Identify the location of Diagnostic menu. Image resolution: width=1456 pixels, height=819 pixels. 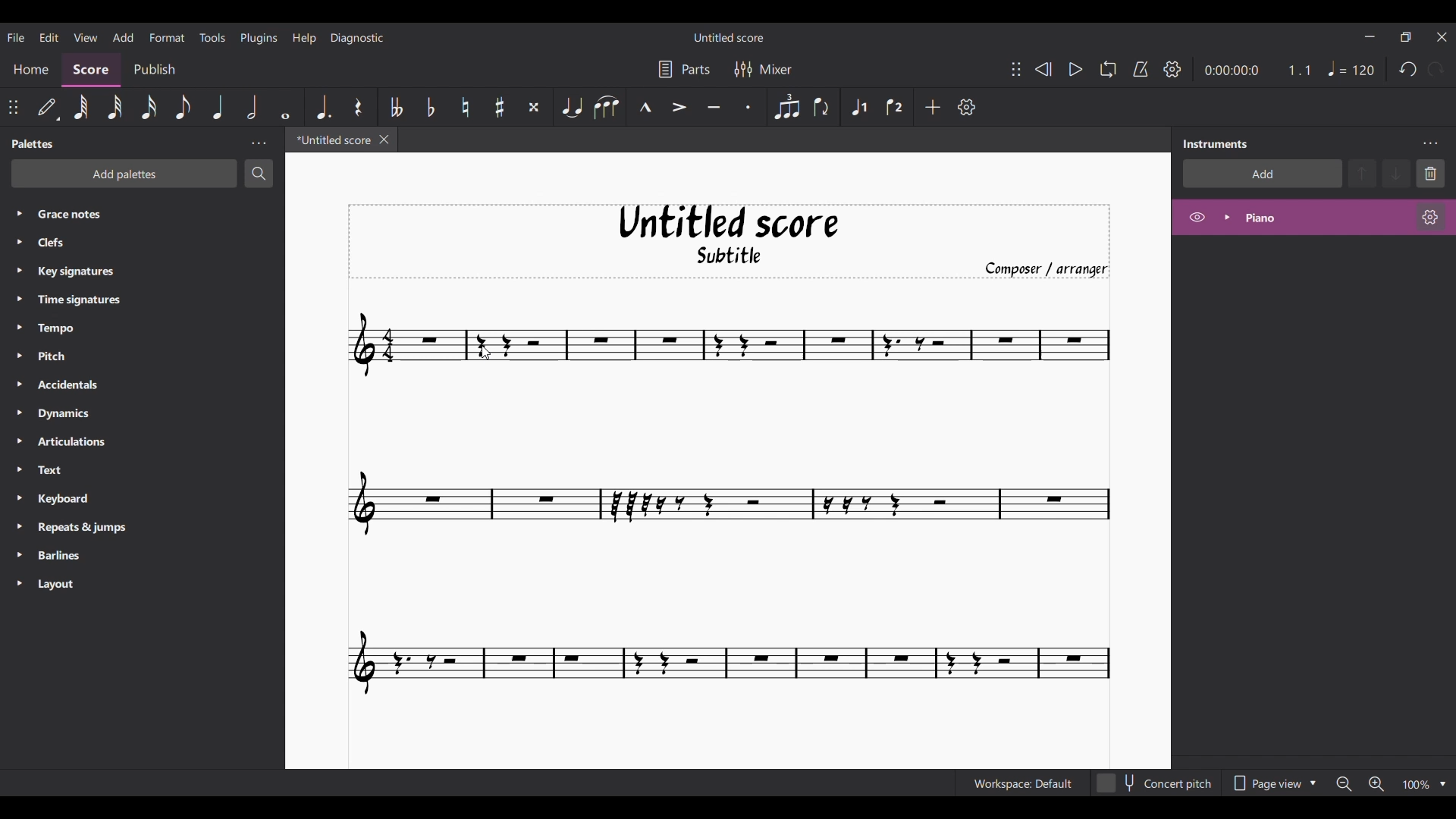
(357, 38).